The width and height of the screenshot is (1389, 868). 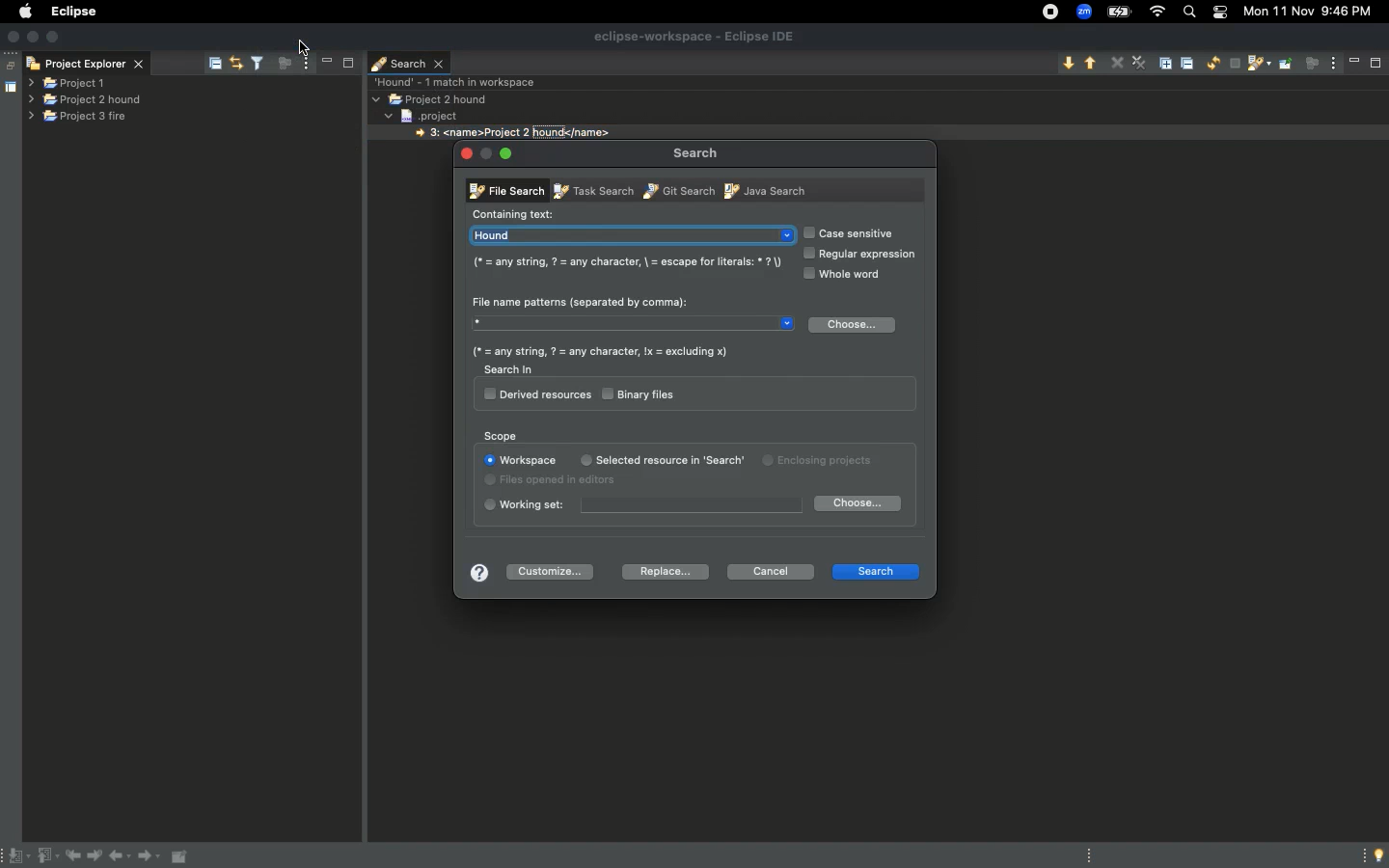 What do you see at coordinates (589, 190) in the screenshot?
I see `Task search` at bounding box center [589, 190].